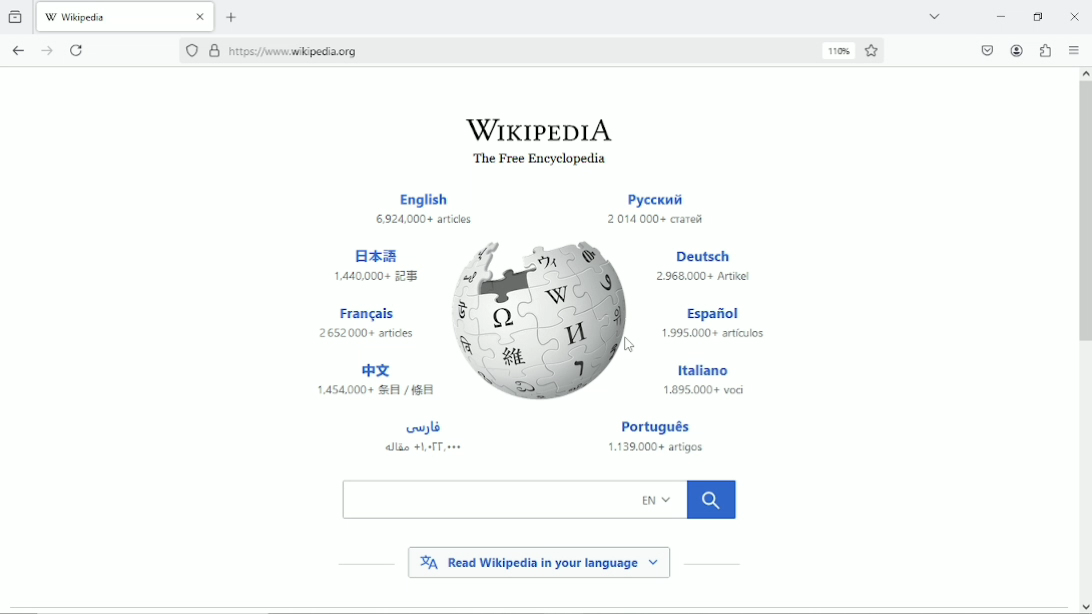  Describe the element at coordinates (423, 436) in the screenshot. I see `foreign language` at that location.